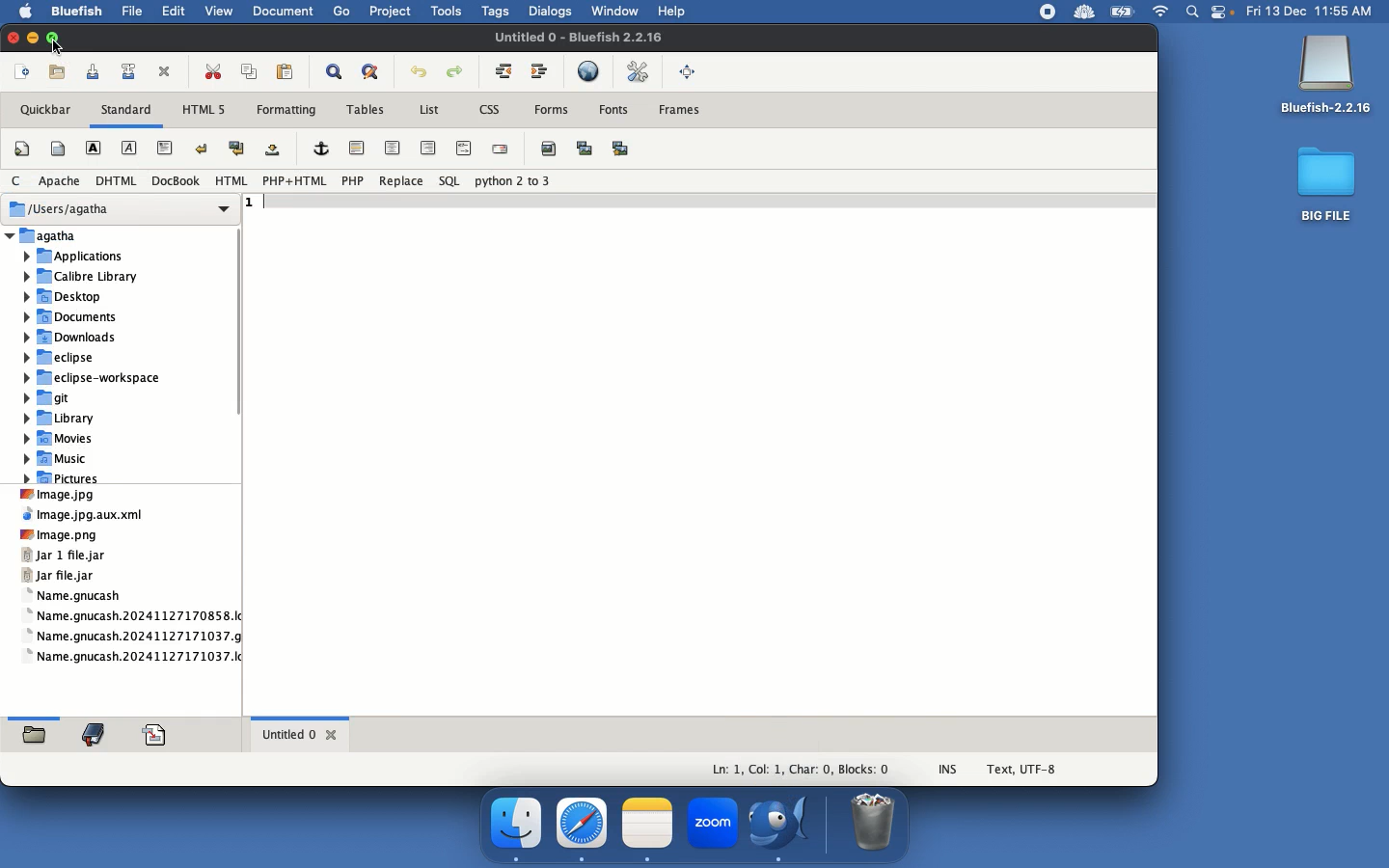  What do you see at coordinates (230, 178) in the screenshot?
I see `HTML` at bounding box center [230, 178].